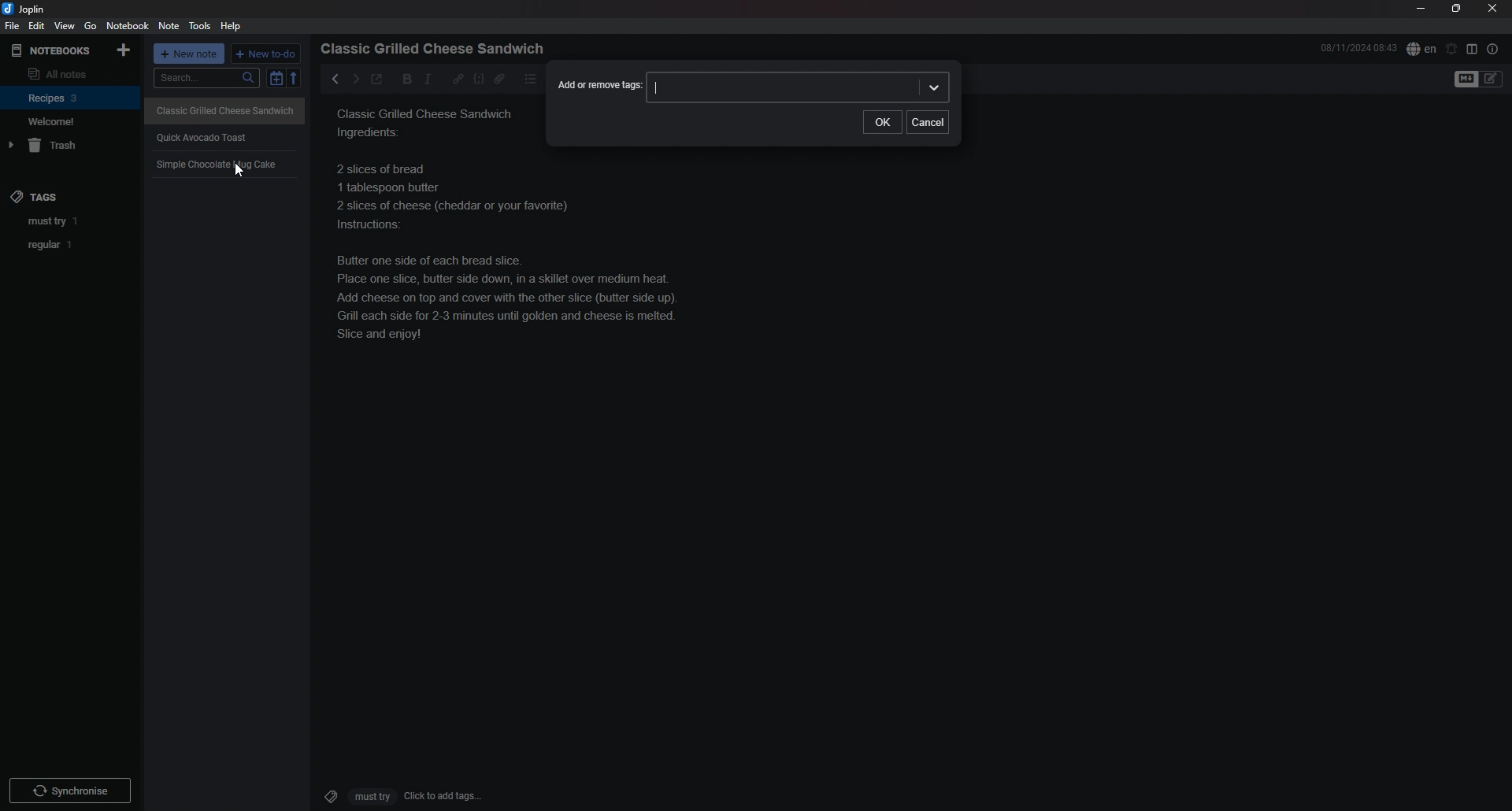 The width and height of the screenshot is (1512, 811). I want to click on Simple Chocolate mug Cake, so click(218, 165).